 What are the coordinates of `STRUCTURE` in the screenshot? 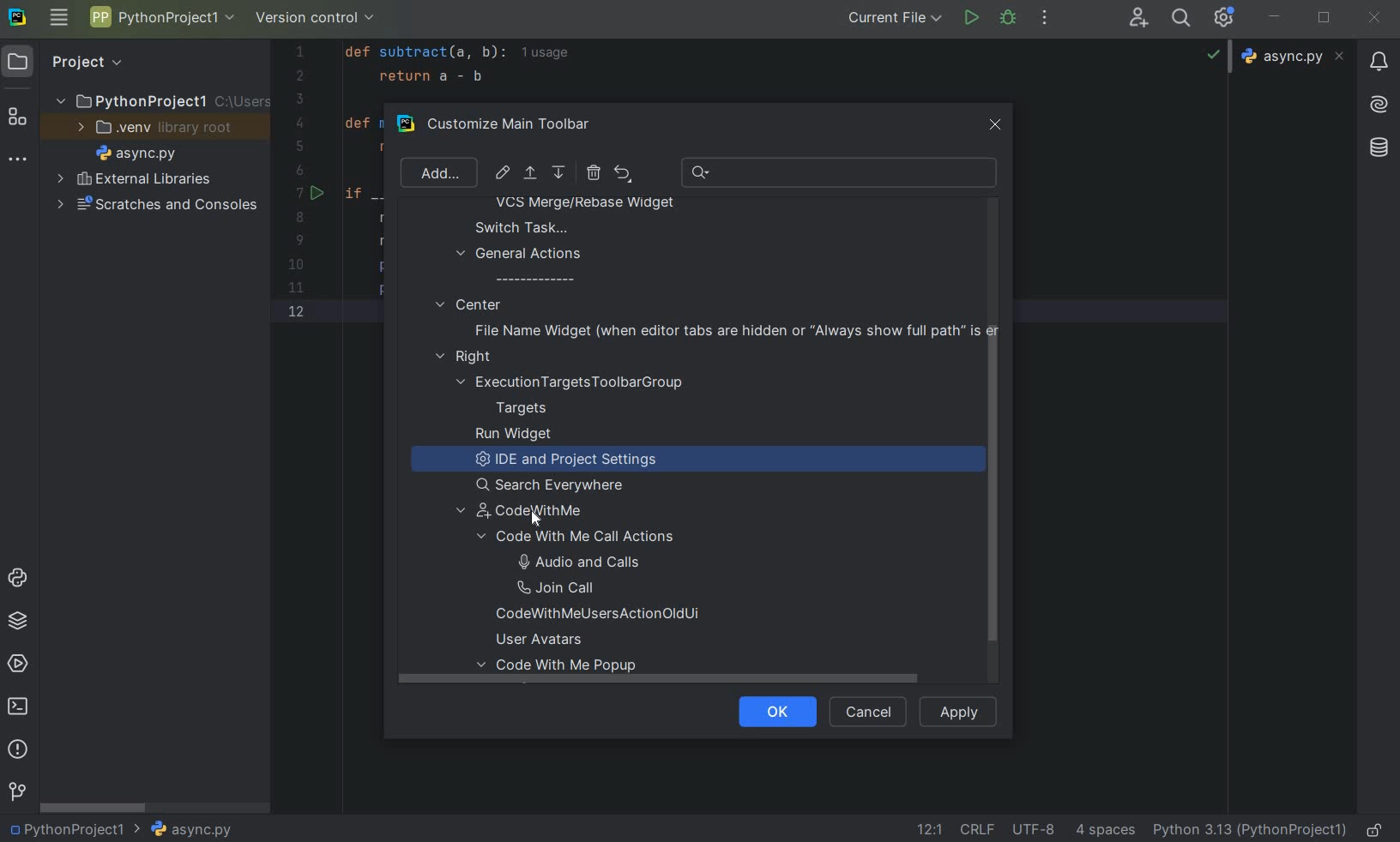 It's located at (19, 119).